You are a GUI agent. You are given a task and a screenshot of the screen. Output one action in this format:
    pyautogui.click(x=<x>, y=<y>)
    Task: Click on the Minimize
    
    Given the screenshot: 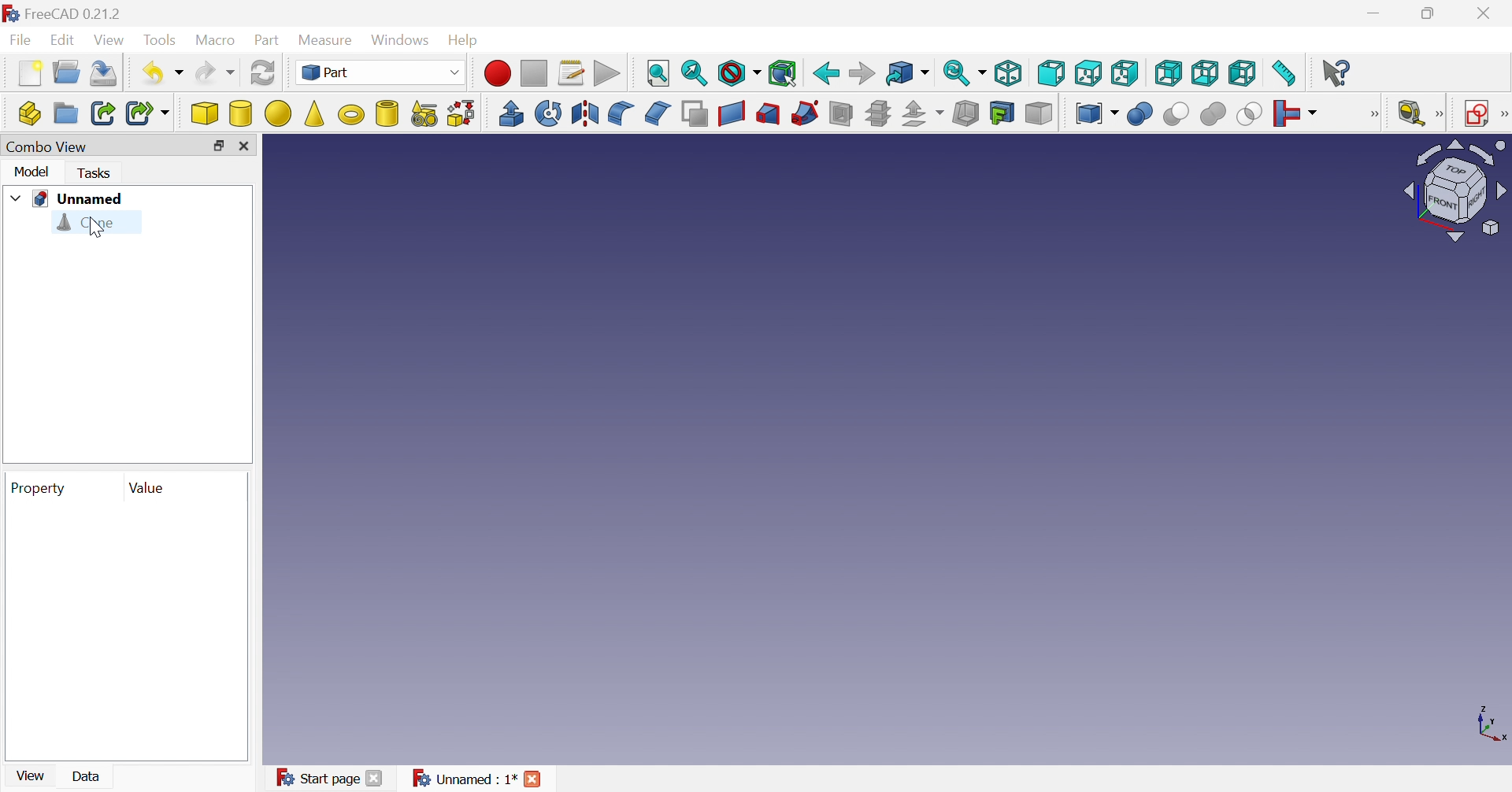 What is the action you would take?
    pyautogui.click(x=1373, y=13)
    